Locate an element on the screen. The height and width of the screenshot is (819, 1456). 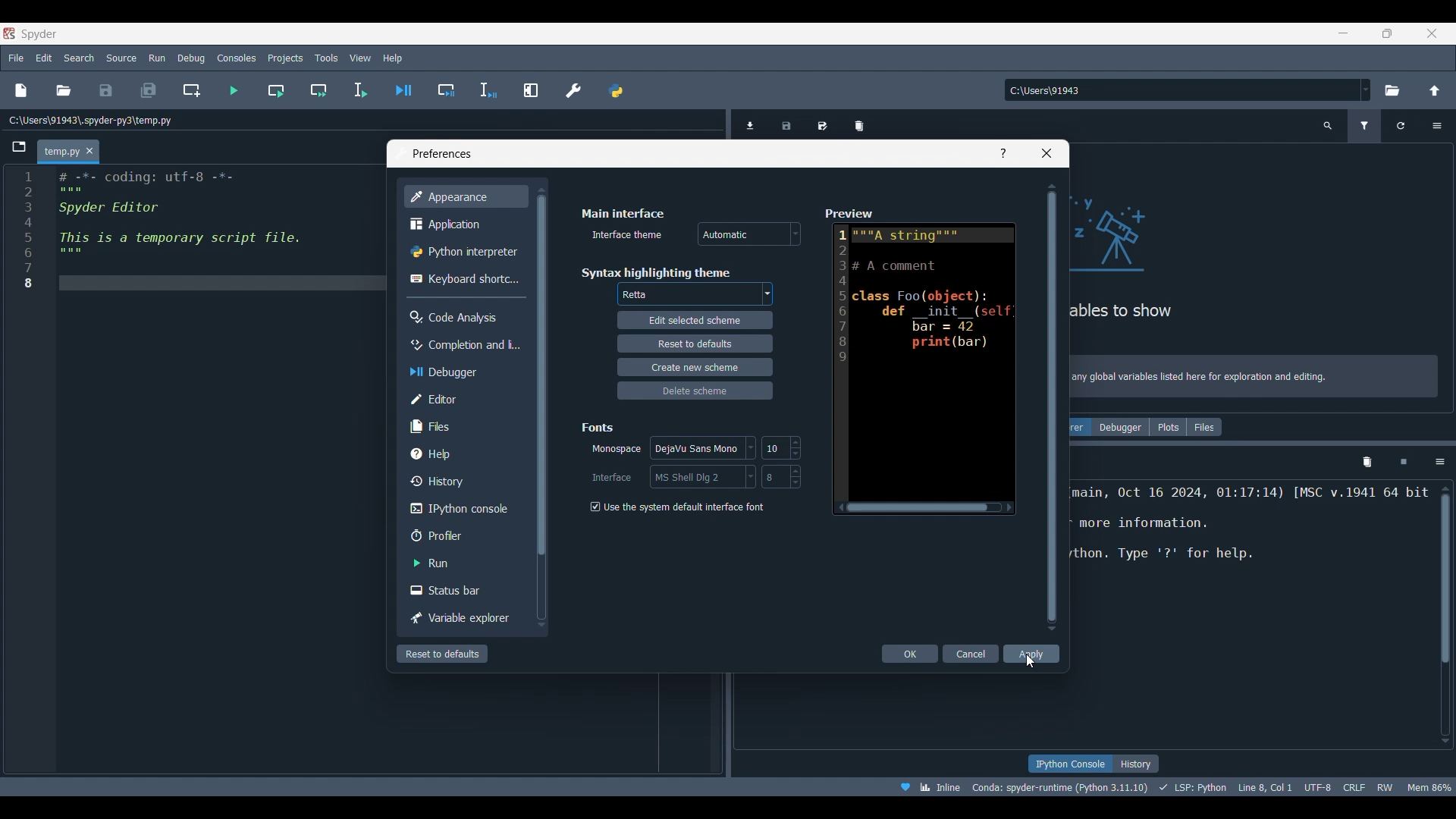
Remove all variables is located at coordinates (859, 123).